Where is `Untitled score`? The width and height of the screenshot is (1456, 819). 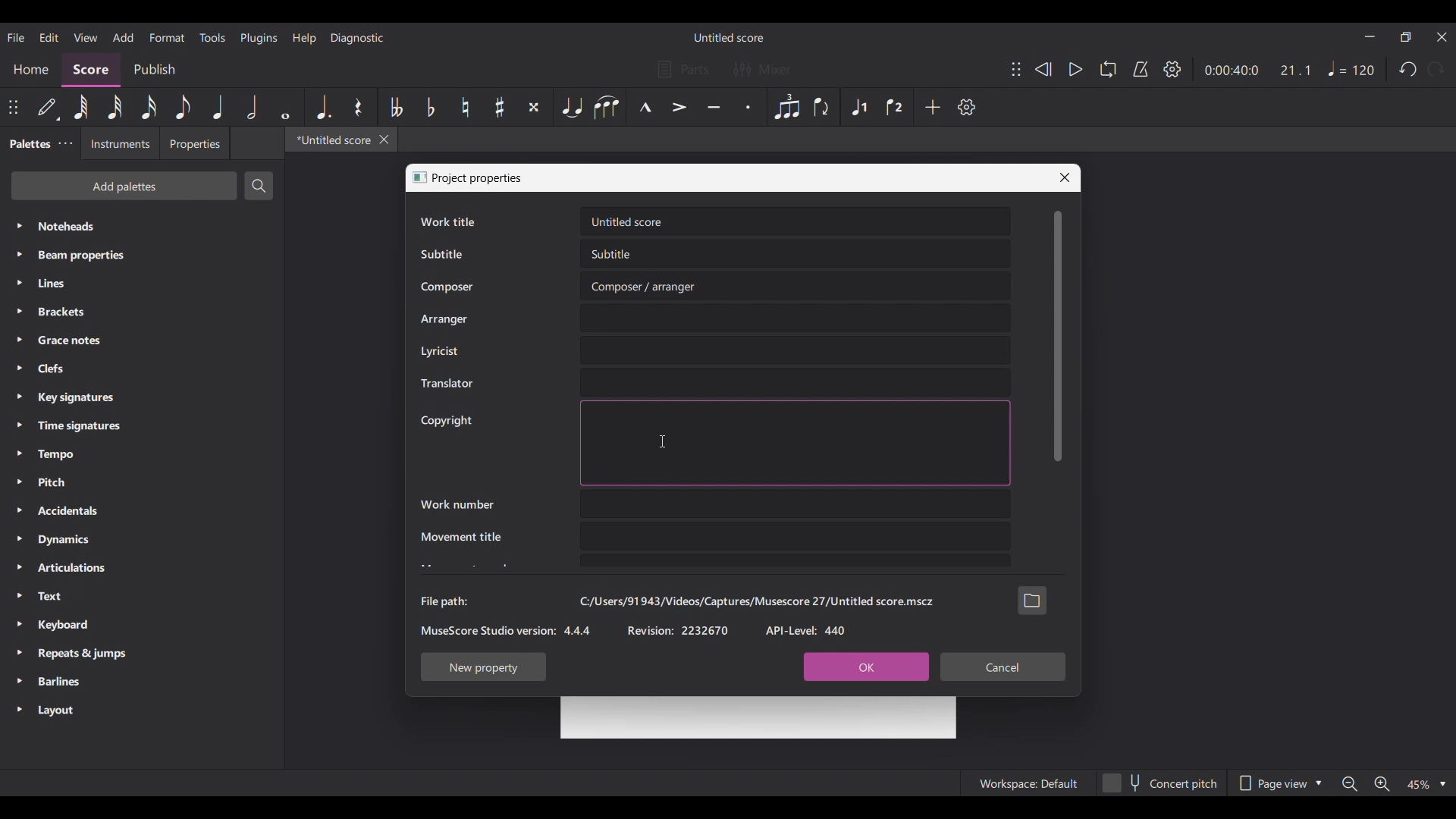 Untitled score is located at coordinates (728, 38).